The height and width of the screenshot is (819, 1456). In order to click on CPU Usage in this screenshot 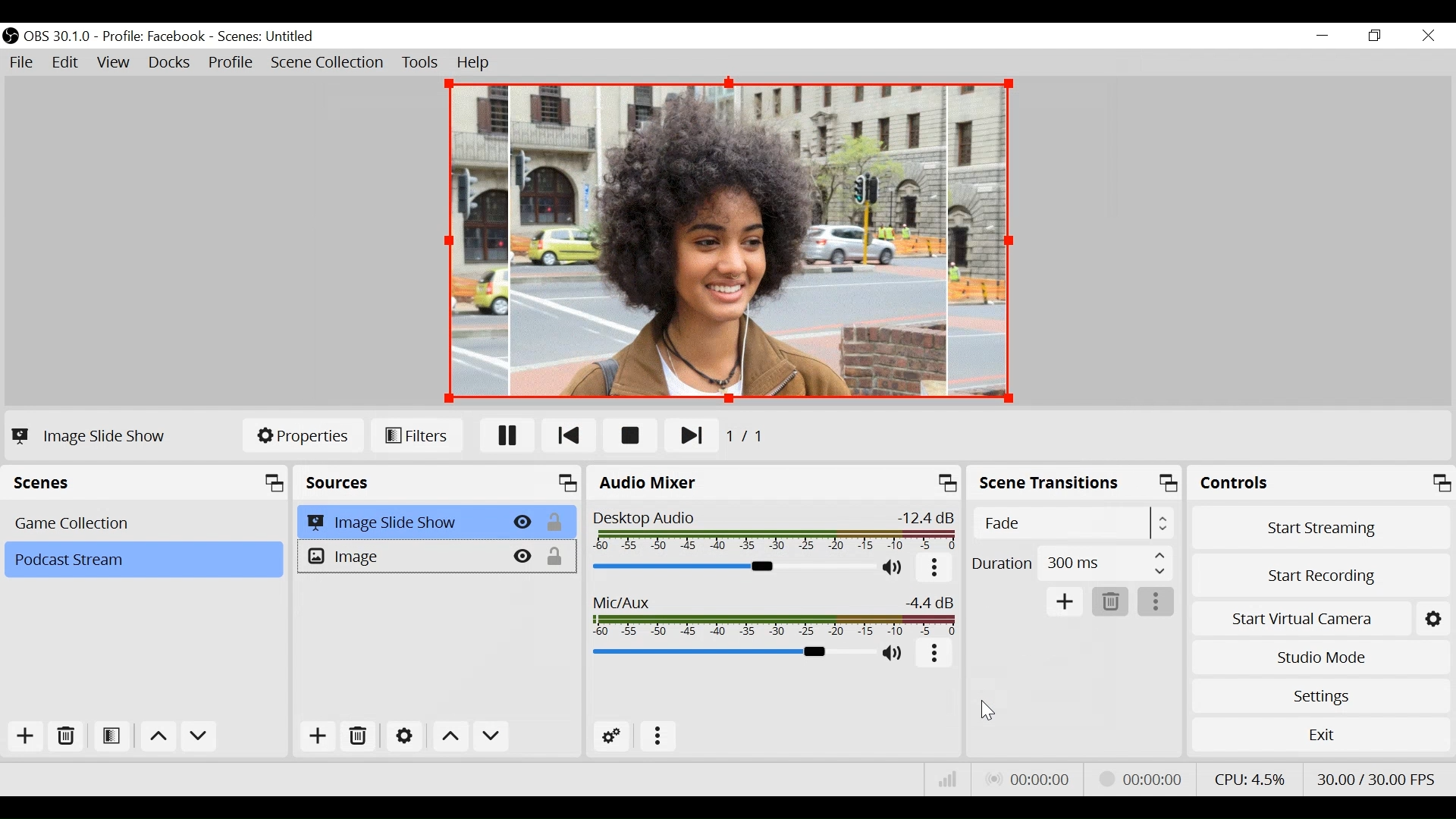, I will do `click(1247, 777)`.